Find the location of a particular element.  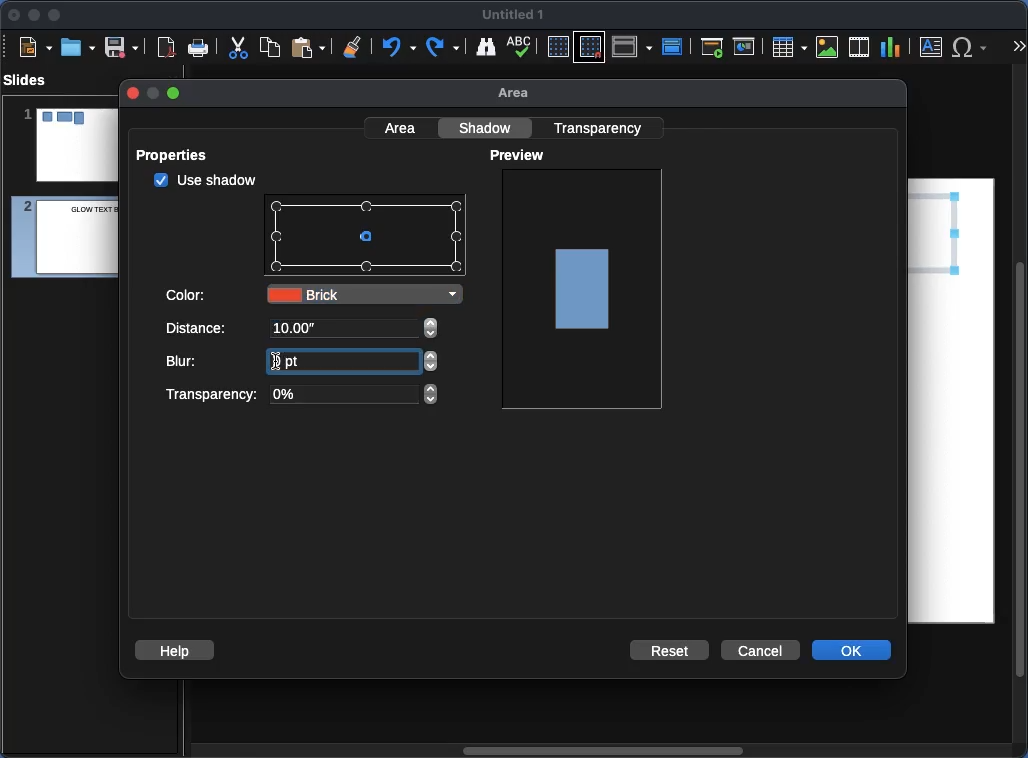

Special characters is located at coordinates (974, 47).